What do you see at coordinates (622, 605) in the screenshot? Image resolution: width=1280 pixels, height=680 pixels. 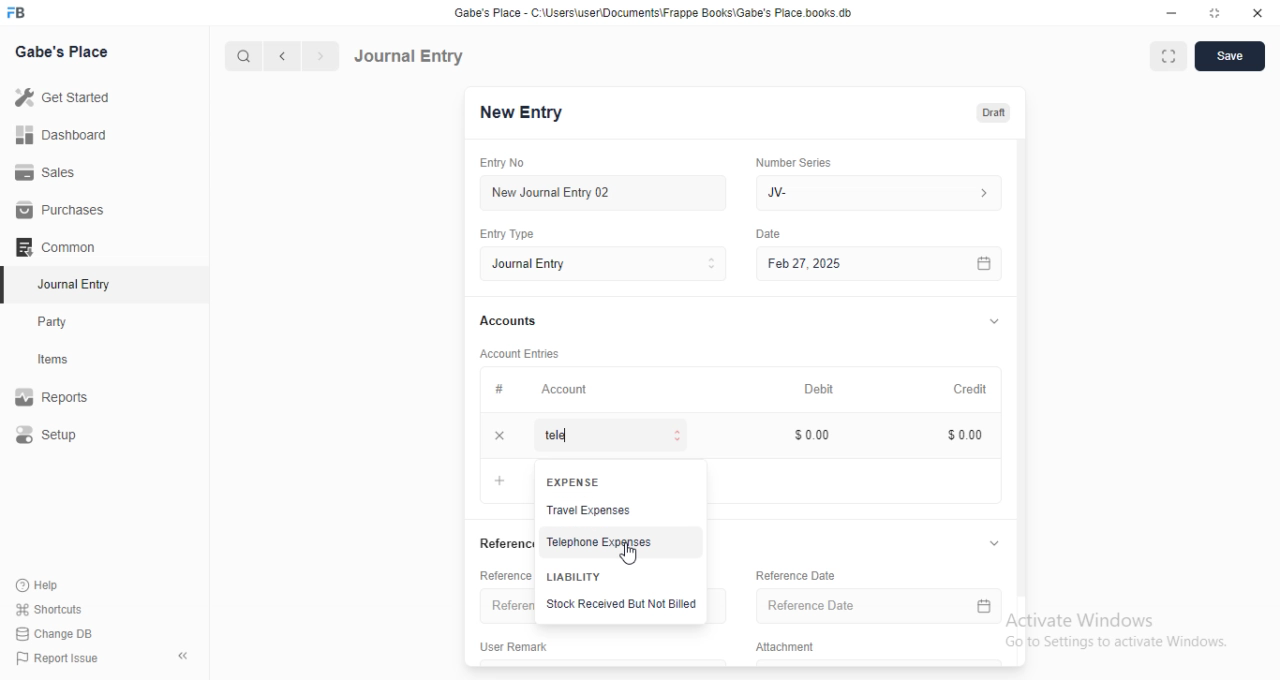 I see `Stock received but not billed` at bounding box center [622, 605].